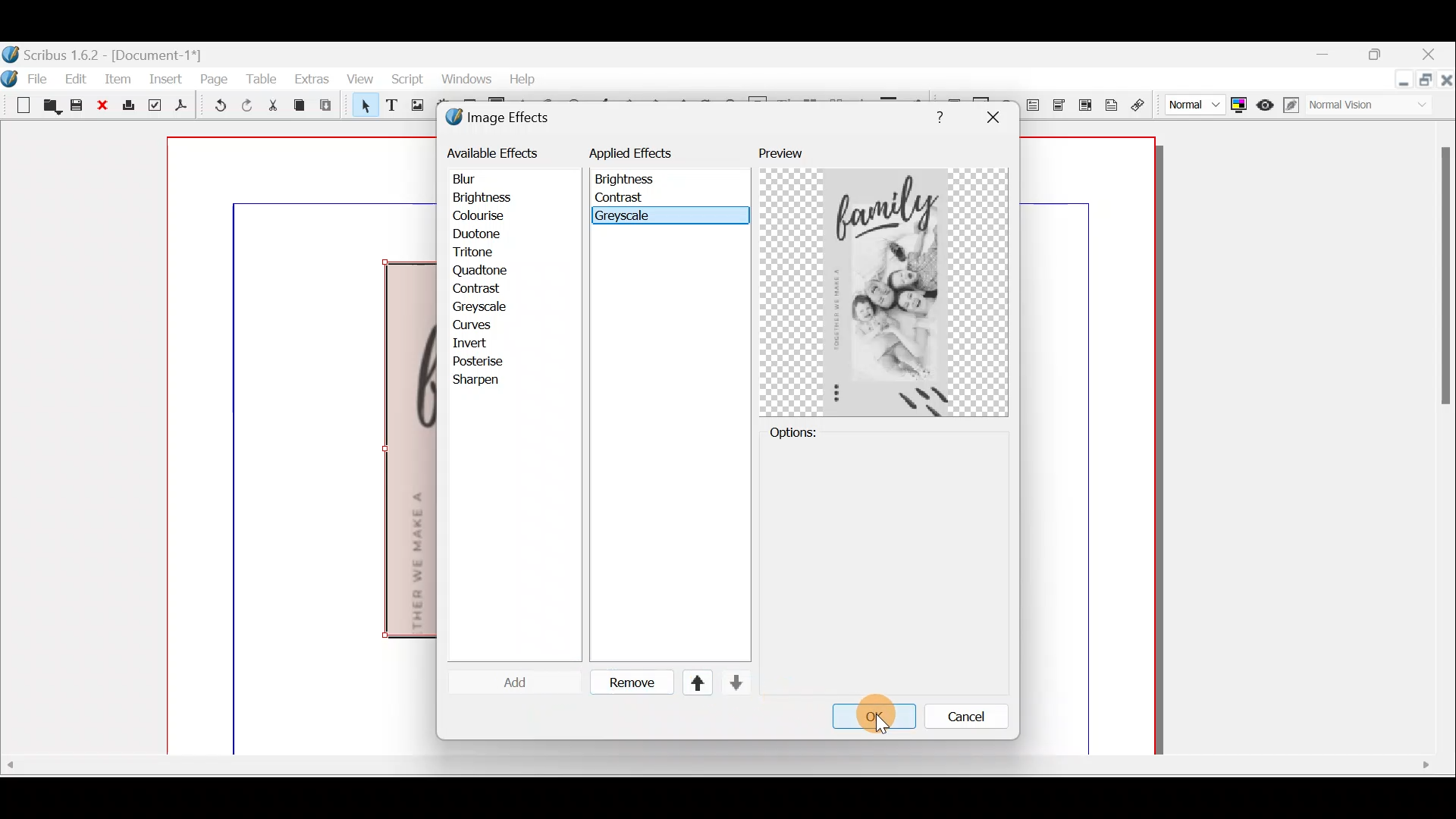 This screenshot has height=819, width=1456. What do you see at coordinates (621, 198) in the screenshot?
I see `contrast` at bounding box center [621, 198].